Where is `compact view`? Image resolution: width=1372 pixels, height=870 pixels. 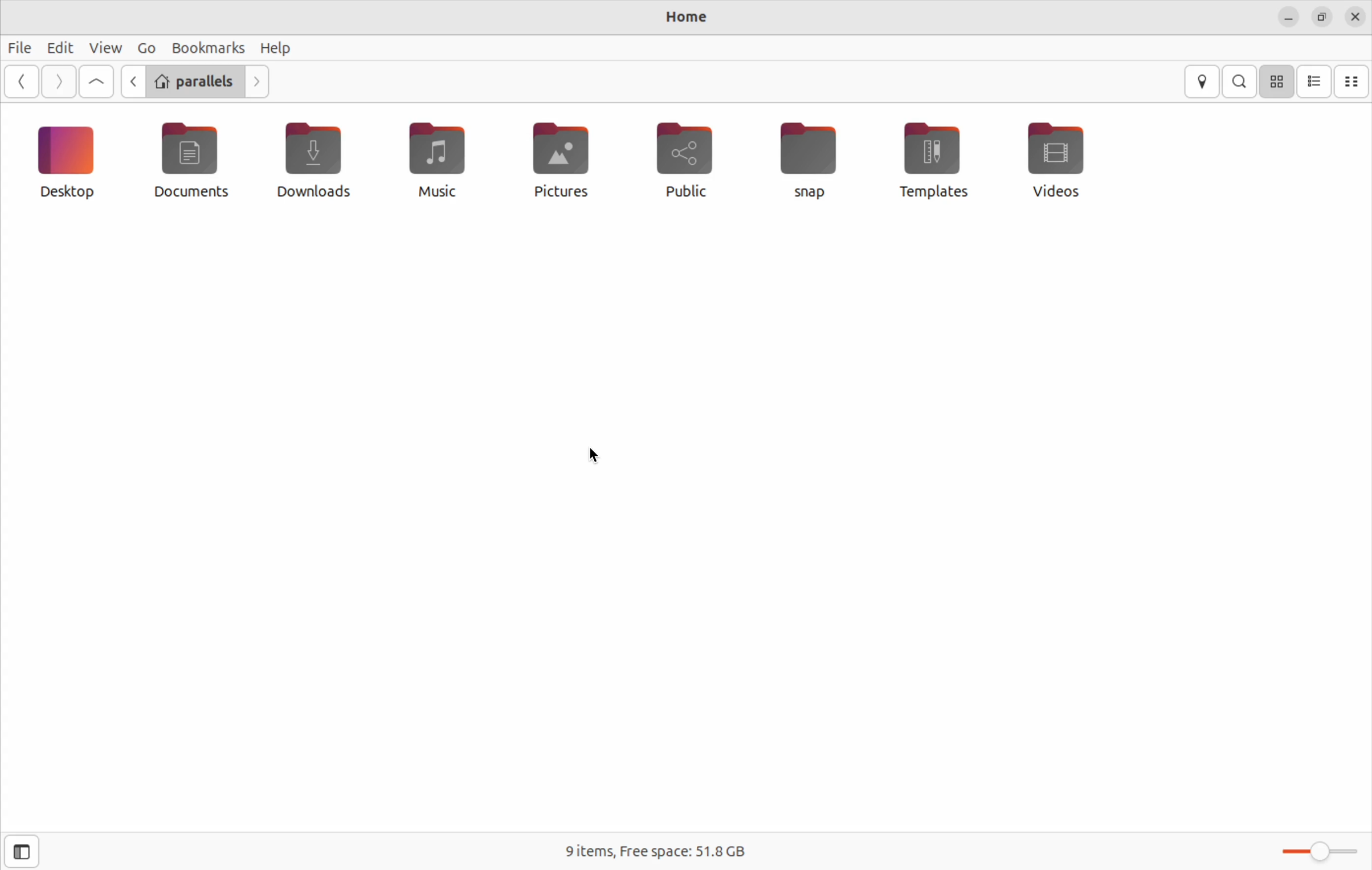 compact view is located at coordinates (1353, 81).